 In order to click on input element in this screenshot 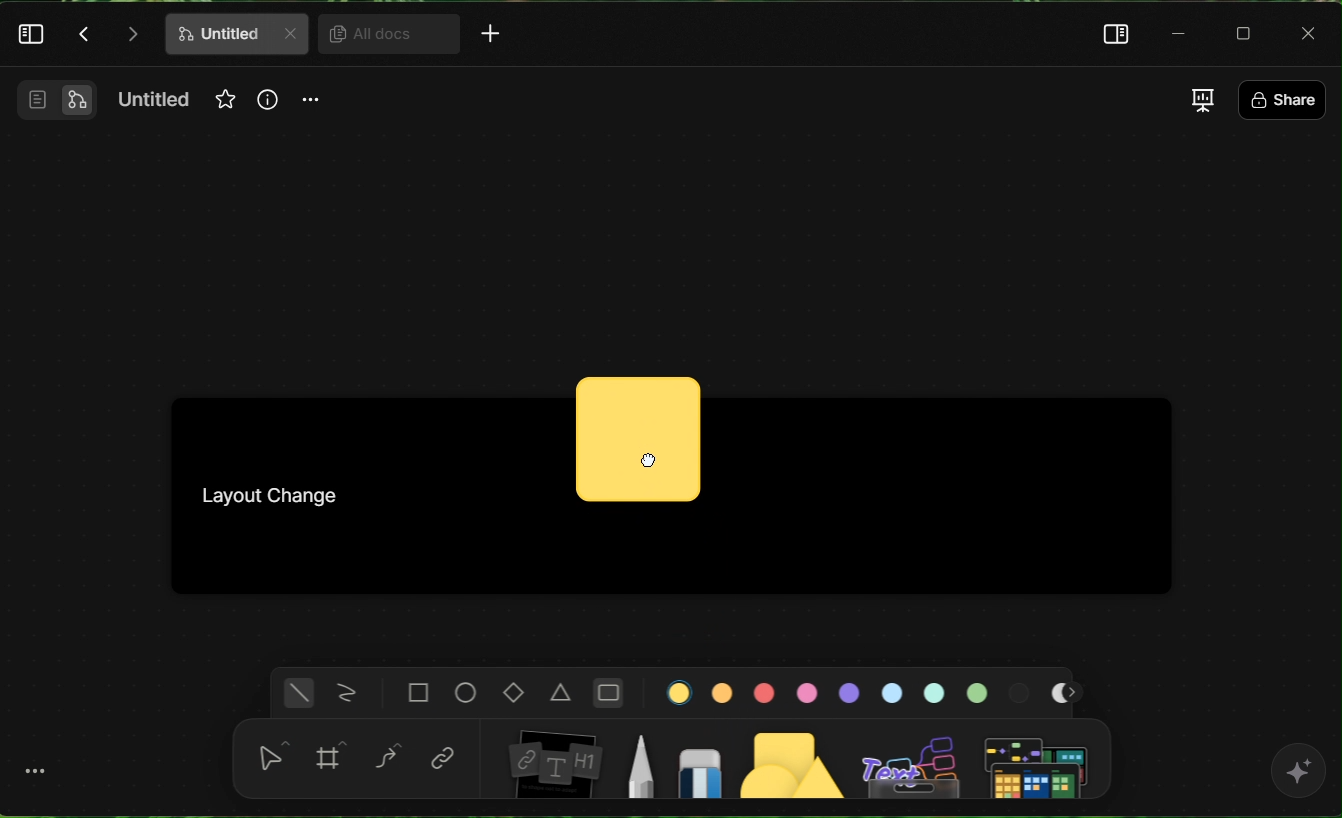, I will do `click(1042, 760)`.